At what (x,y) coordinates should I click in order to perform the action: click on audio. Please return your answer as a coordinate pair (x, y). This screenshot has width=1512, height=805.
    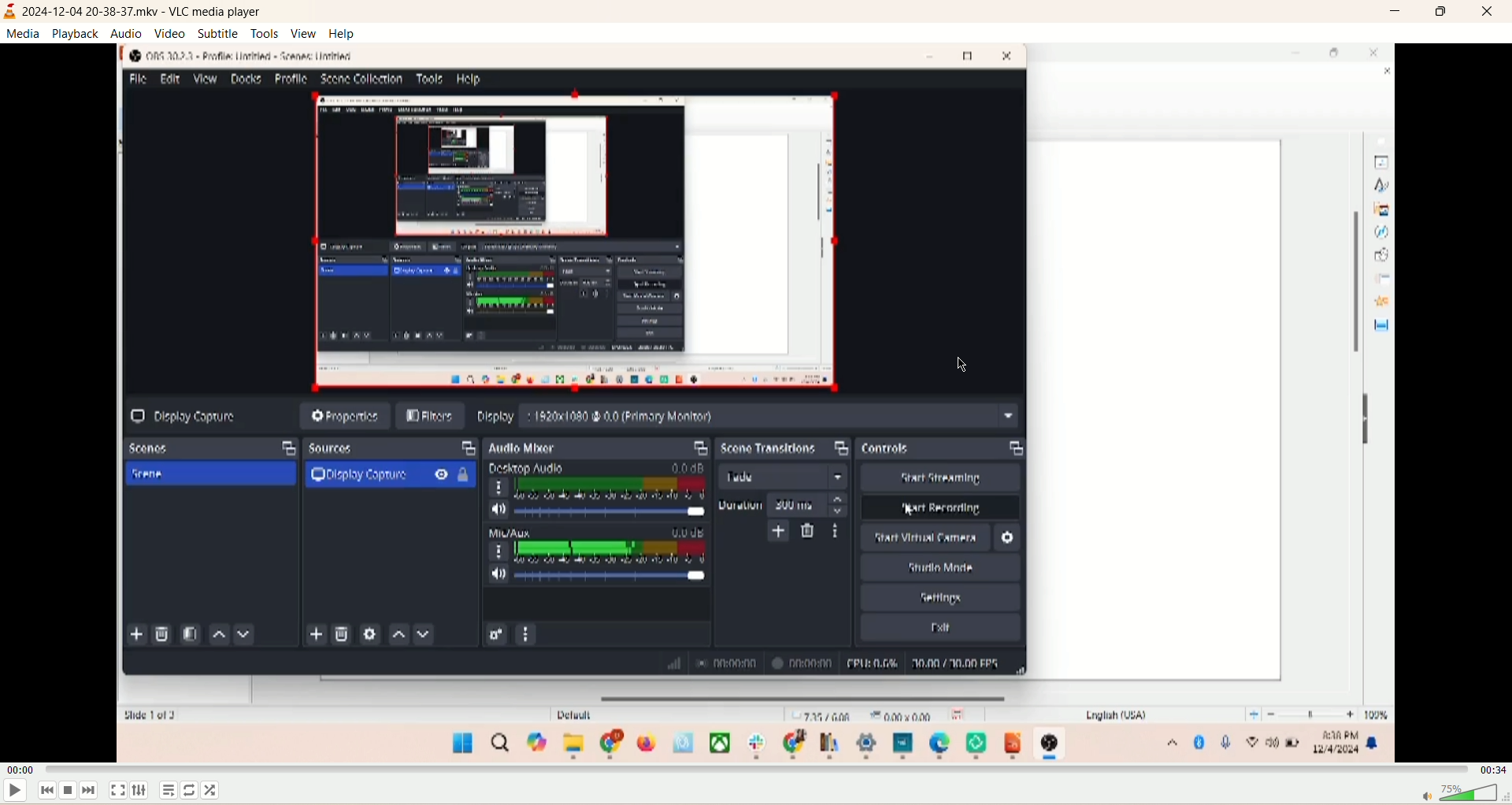
    Looking at the image, I should click on (127, 34).